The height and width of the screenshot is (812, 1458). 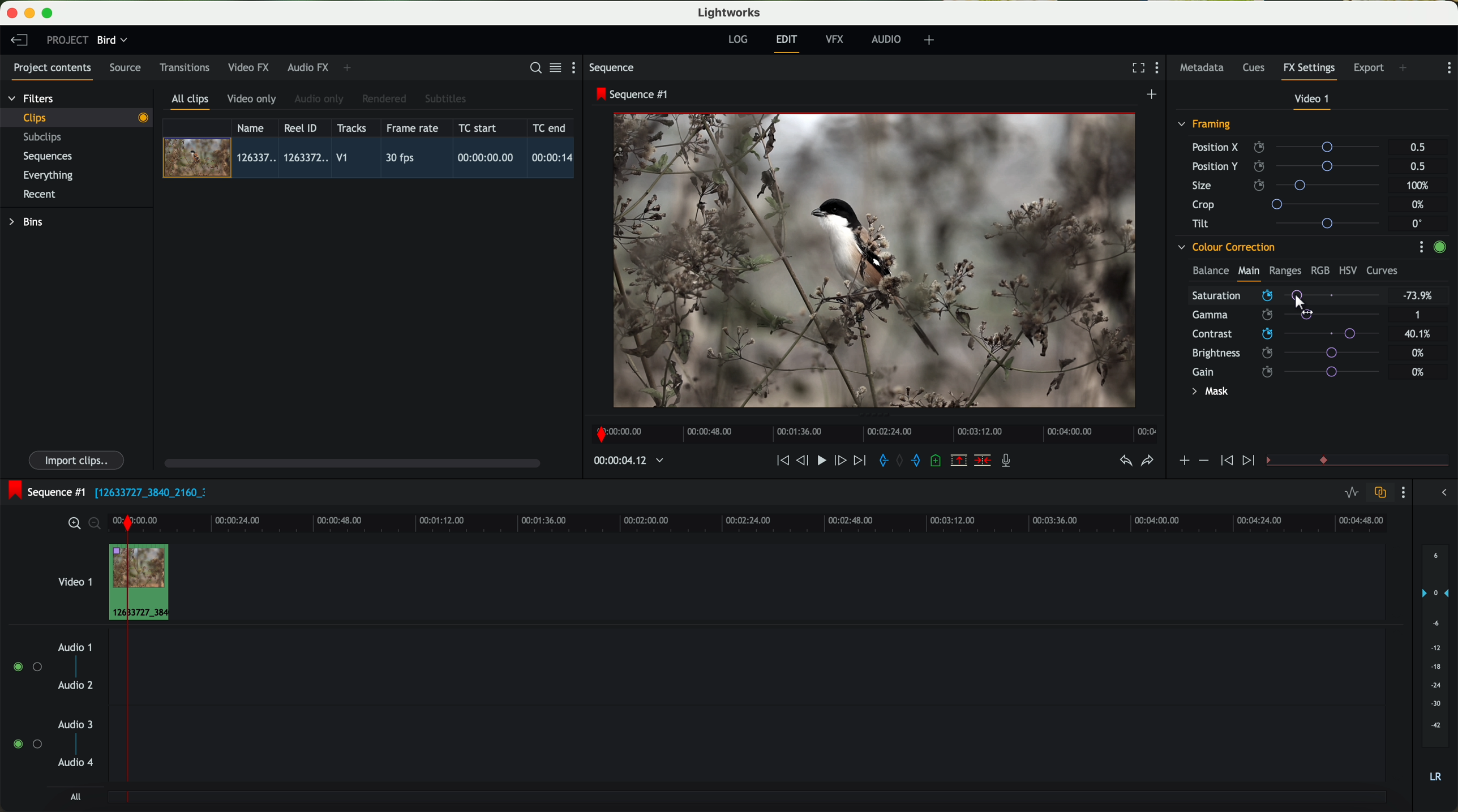 What do you see at coordinates (1205, 126) in the screenshot?
I see `framing` at bounding box center [1205, 126].